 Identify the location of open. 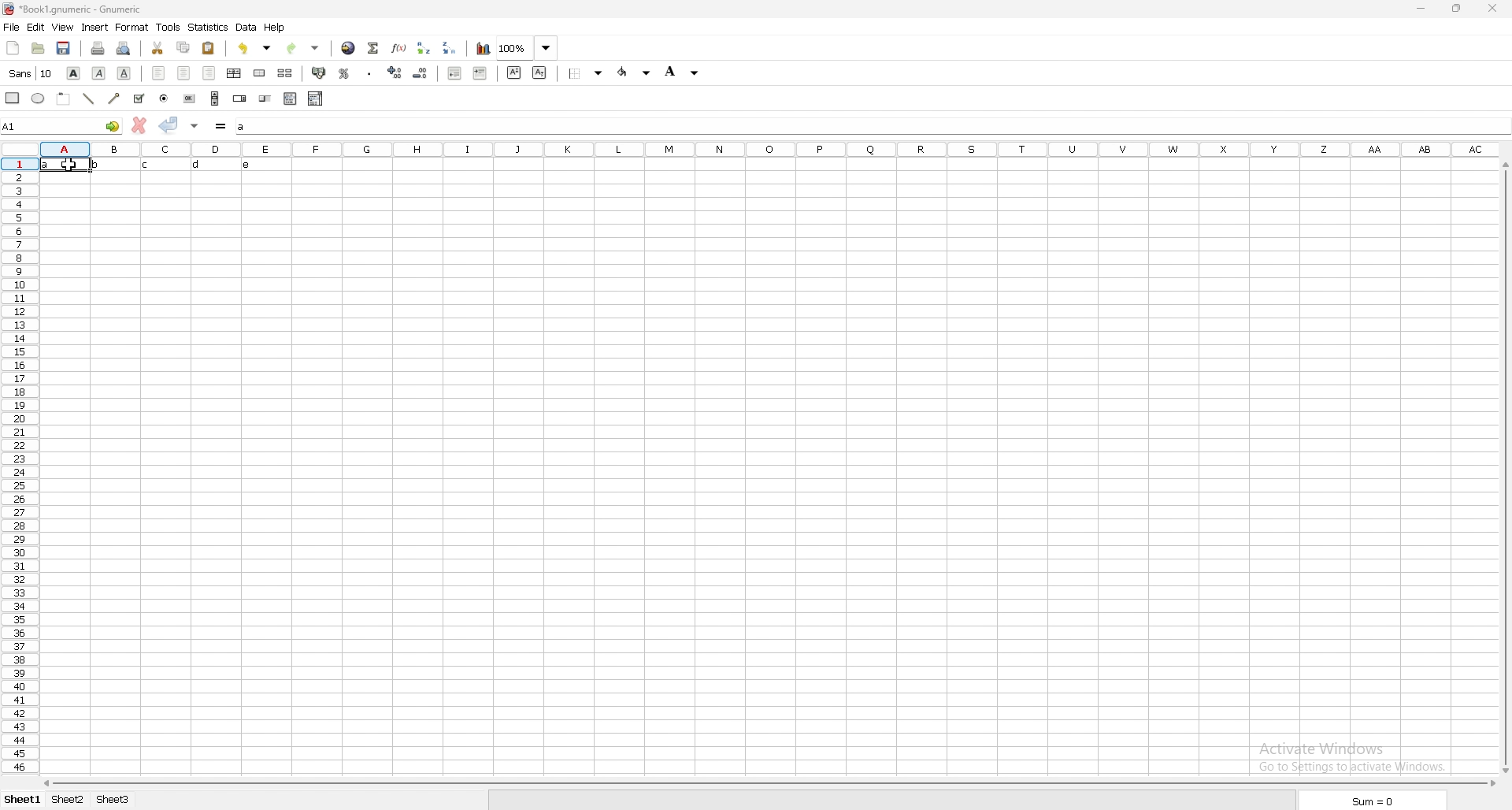
(39, 48).